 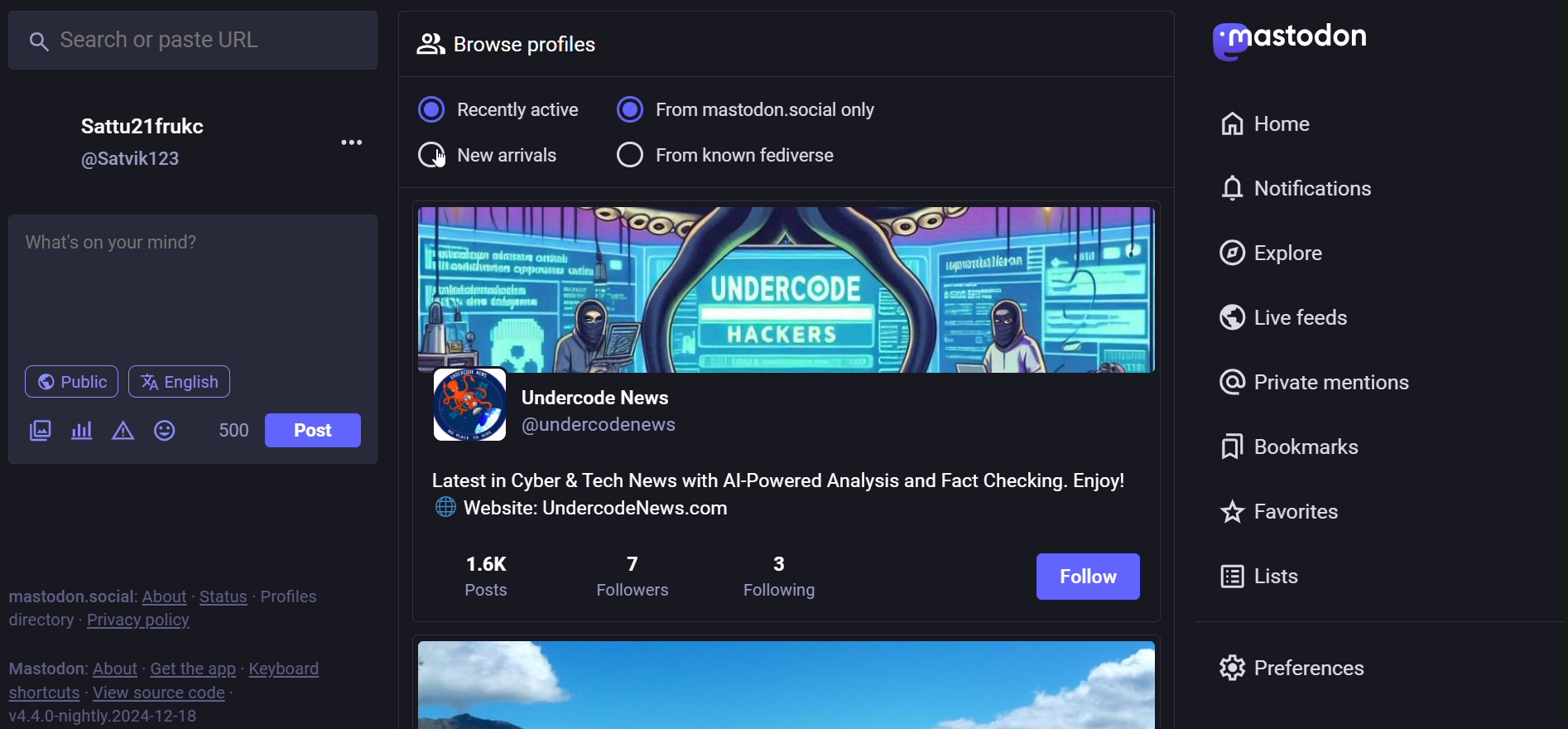 I want to click on about, so click(x=160, y=596).